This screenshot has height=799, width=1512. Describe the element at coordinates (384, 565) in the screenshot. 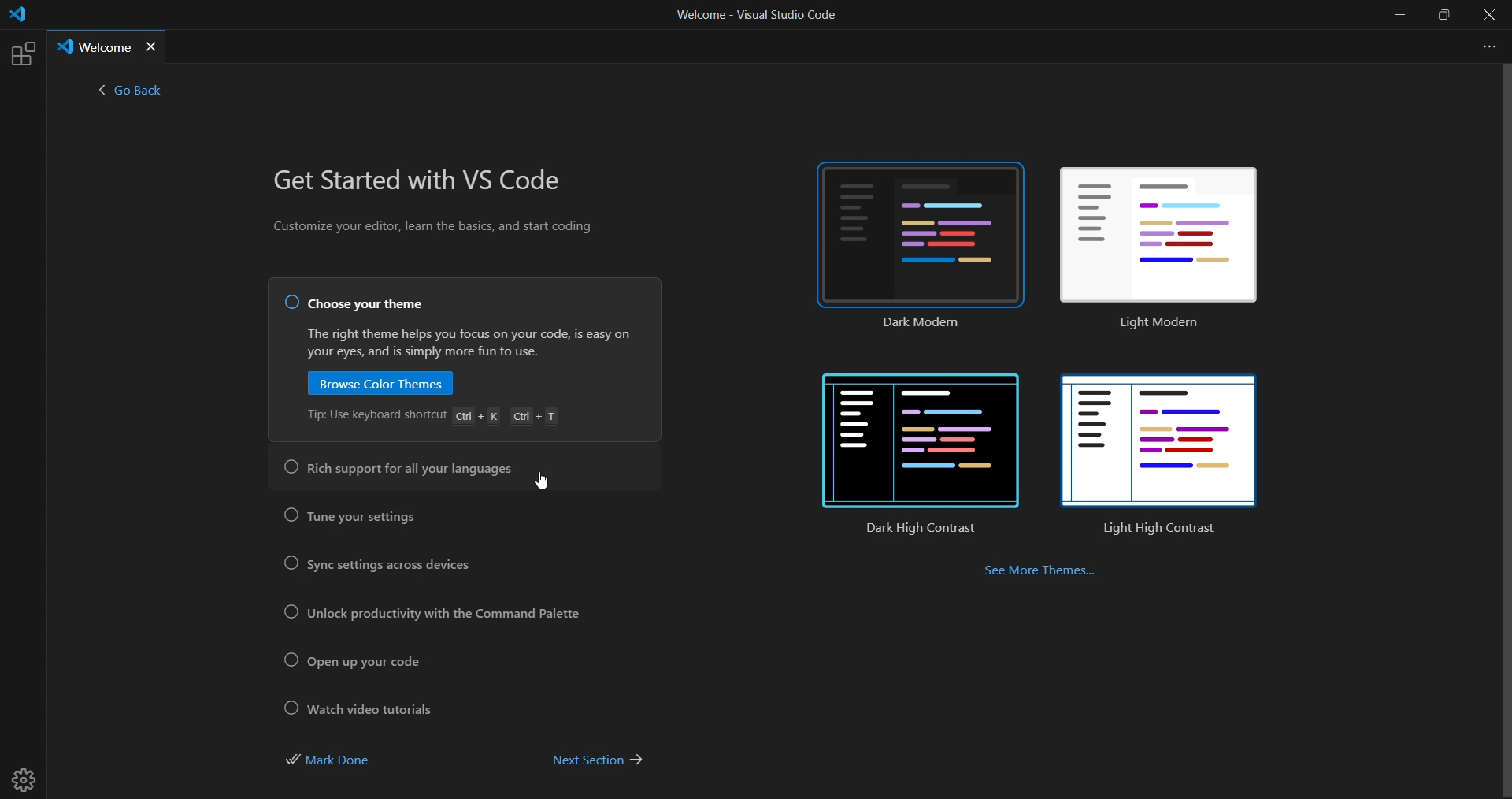

I see `sync setting across devices` at that location.